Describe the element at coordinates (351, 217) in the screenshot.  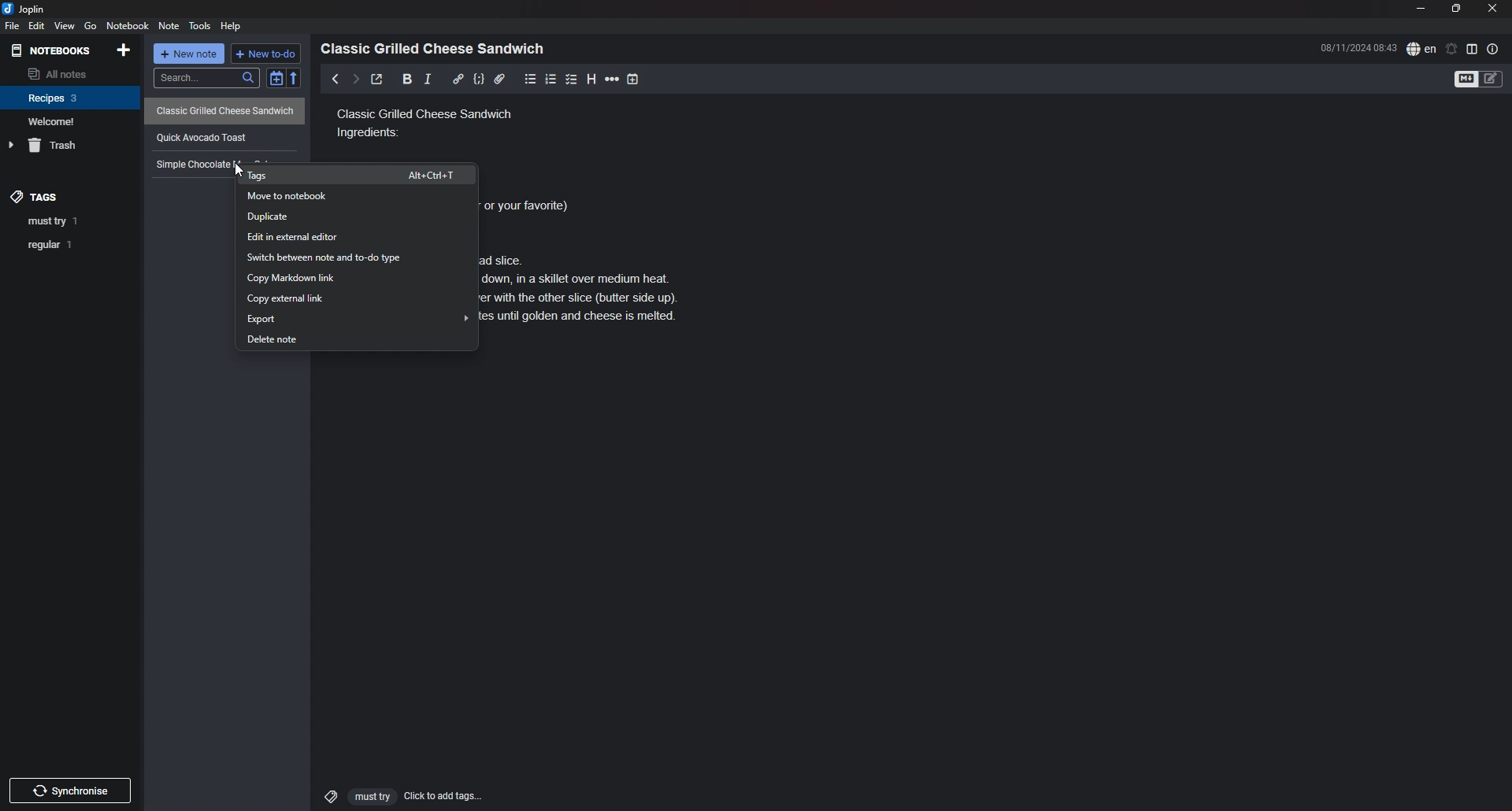
I see `Duplicate` at that location.